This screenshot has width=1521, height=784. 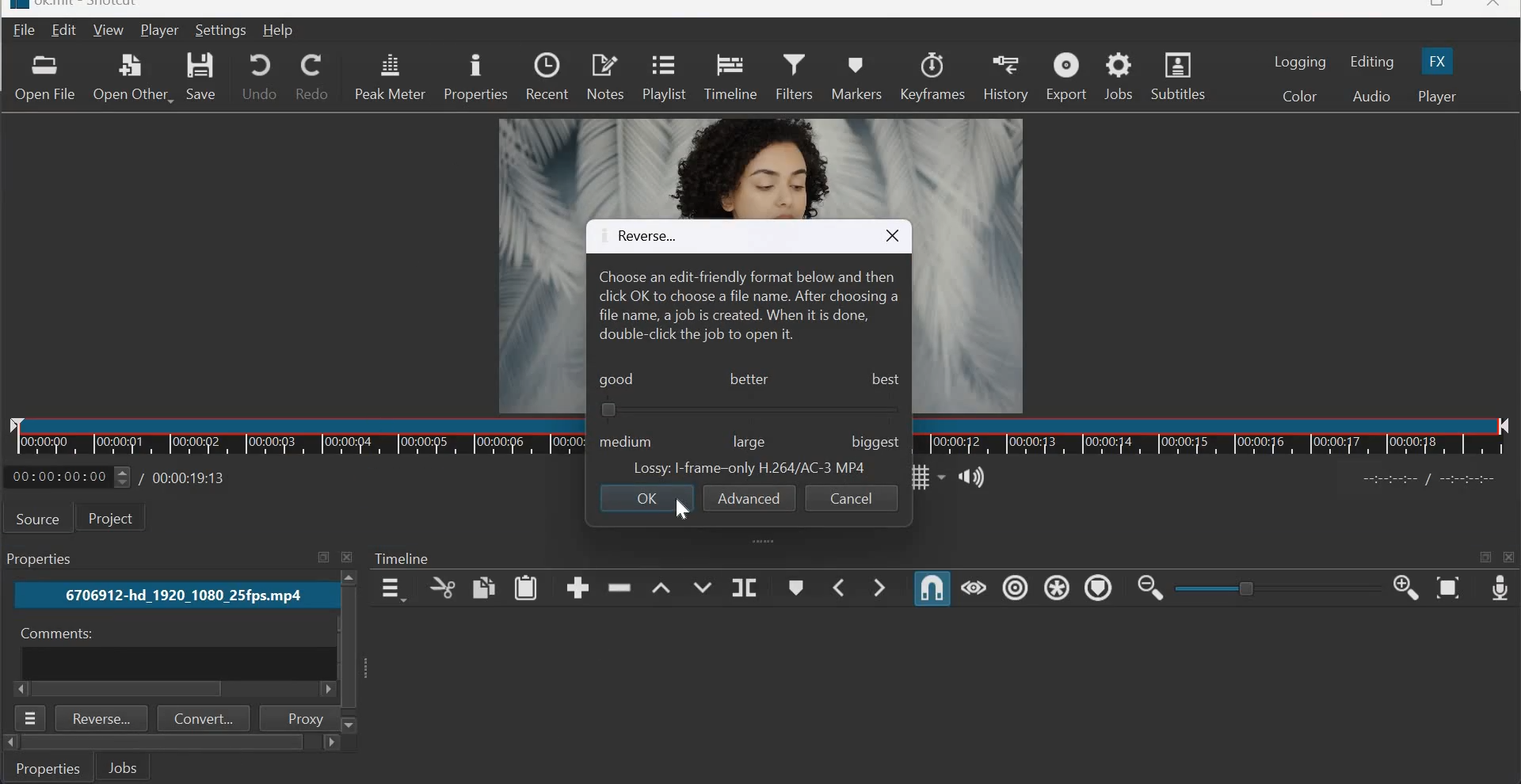 I want to click on Edit, so click(x=66, y=29).